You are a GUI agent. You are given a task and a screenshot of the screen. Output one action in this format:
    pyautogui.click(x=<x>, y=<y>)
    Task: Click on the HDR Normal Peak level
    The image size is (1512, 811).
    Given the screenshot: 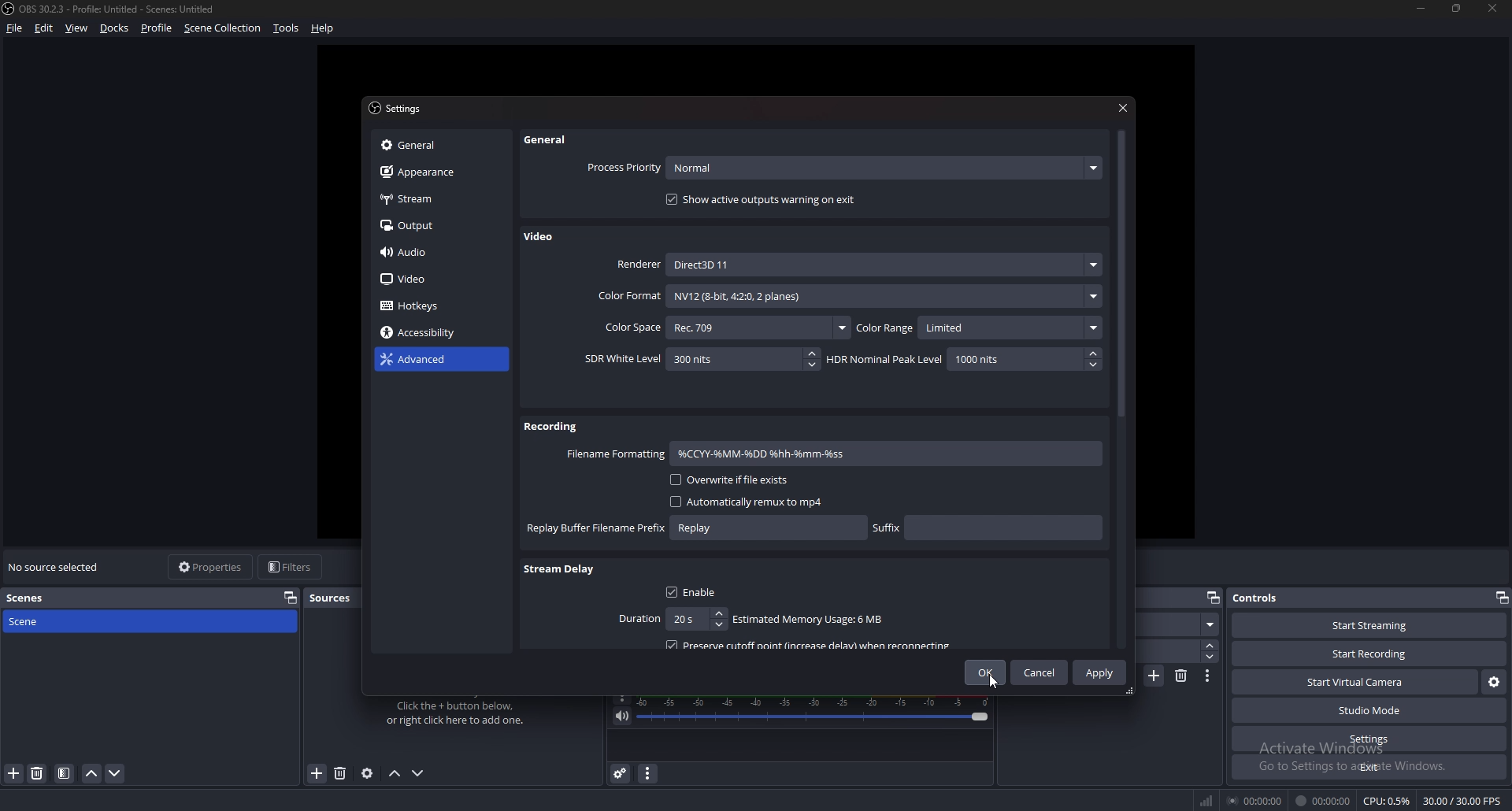 What is the action you would take?
    pyautogui.click(x=962, y=359)
    